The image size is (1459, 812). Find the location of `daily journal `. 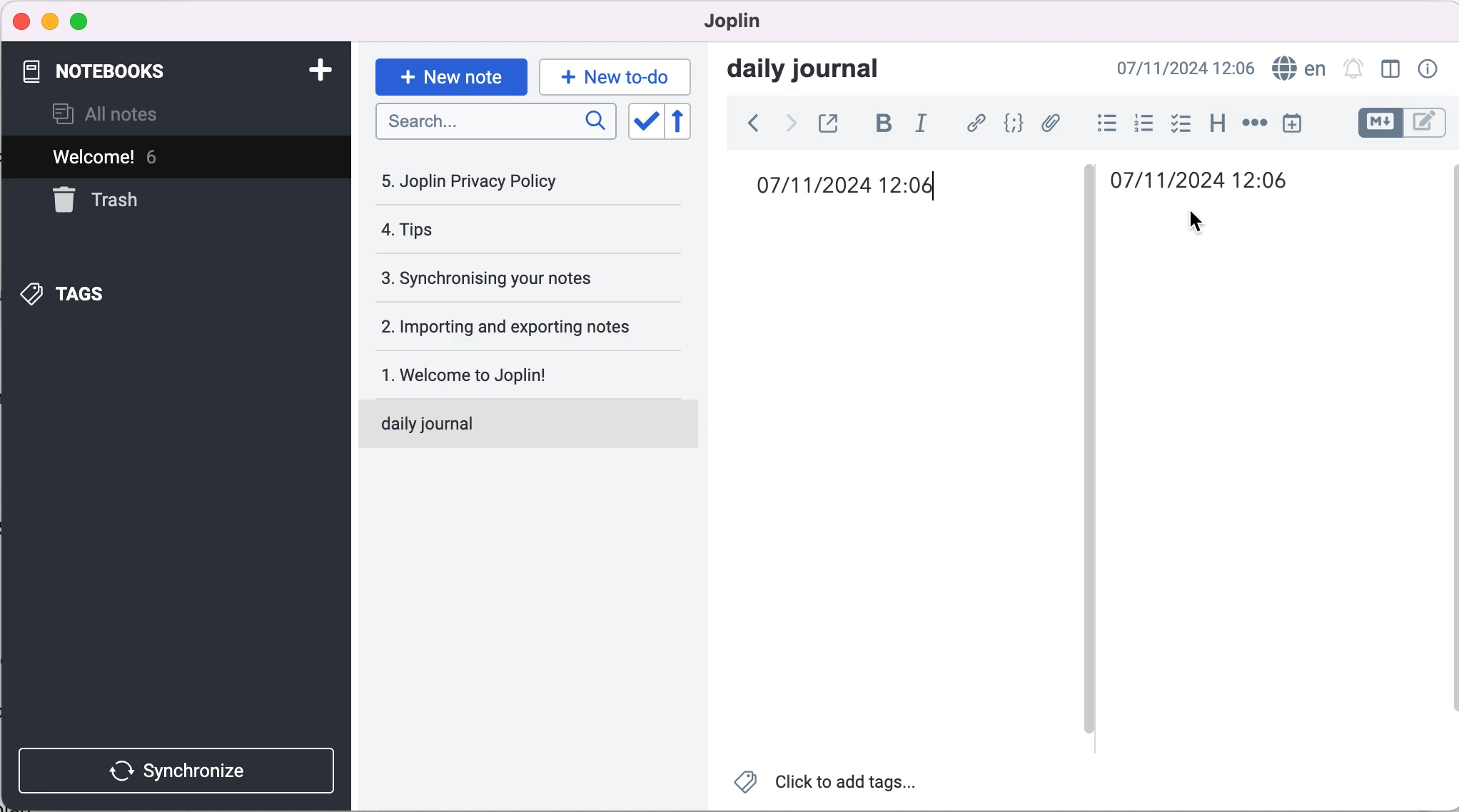

daily journal  is located at coordinates (505, 421).